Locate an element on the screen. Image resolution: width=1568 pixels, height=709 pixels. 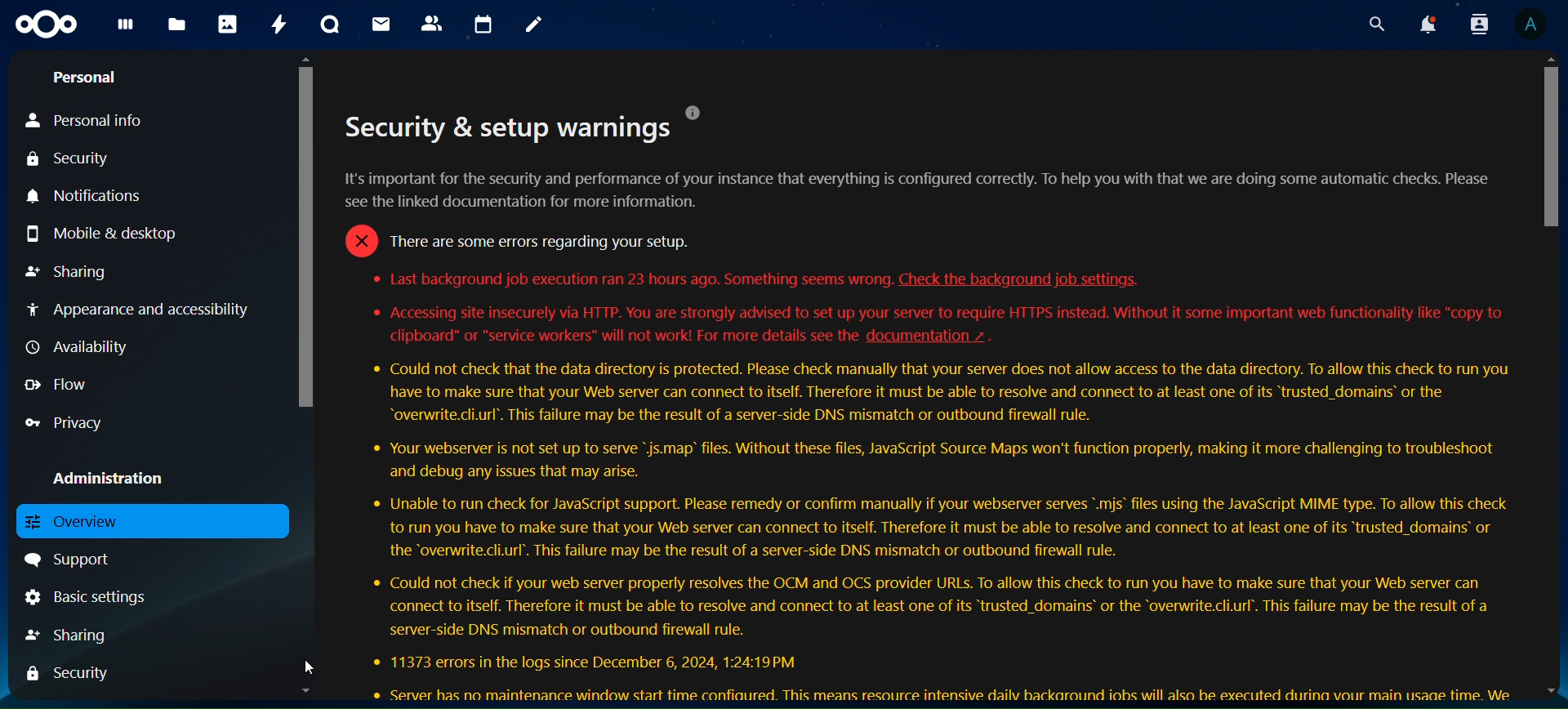
notifications is located at coordinates (1425, 24).